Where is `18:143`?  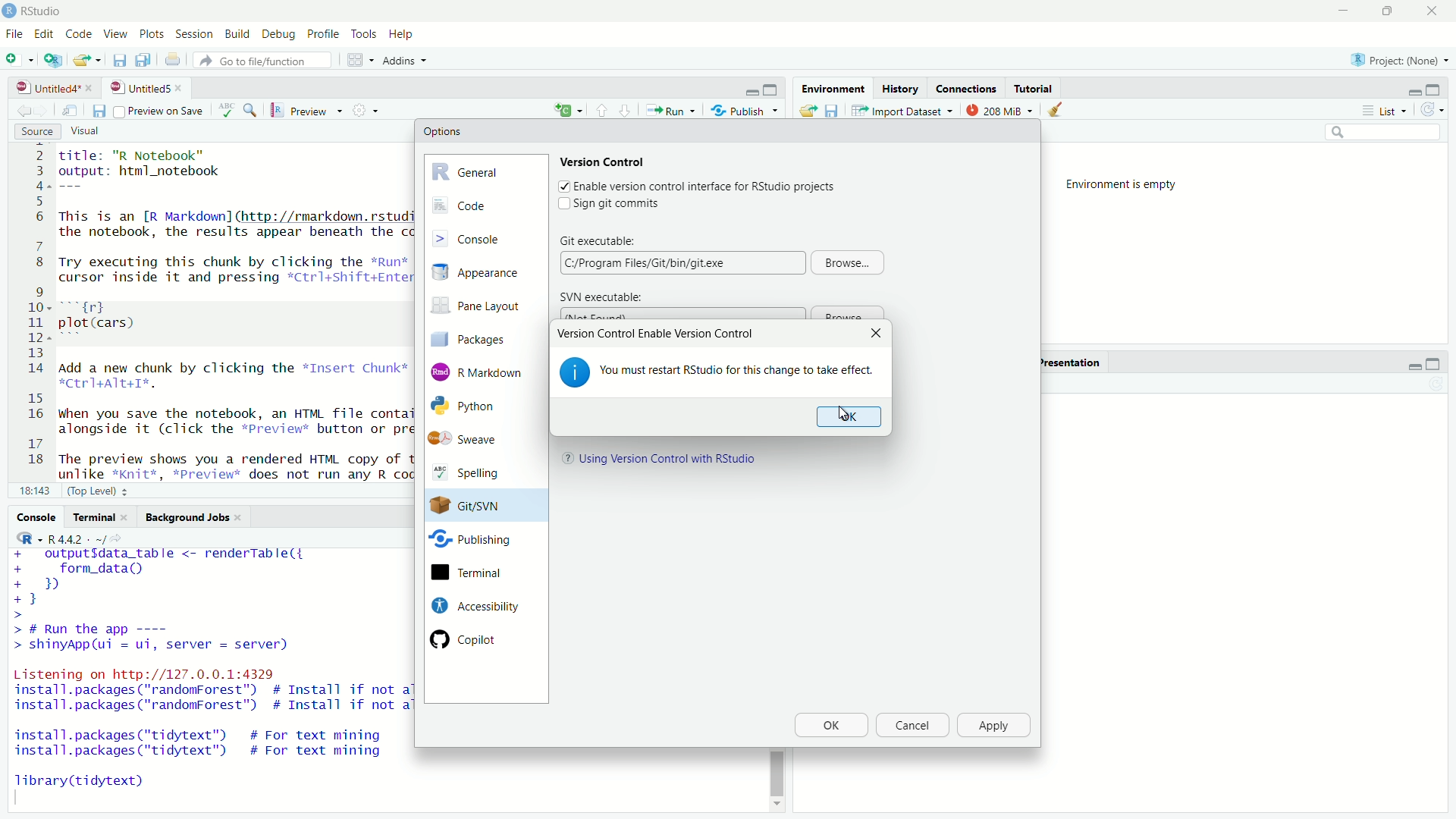
18:143 is located at coordinates (34, 490).